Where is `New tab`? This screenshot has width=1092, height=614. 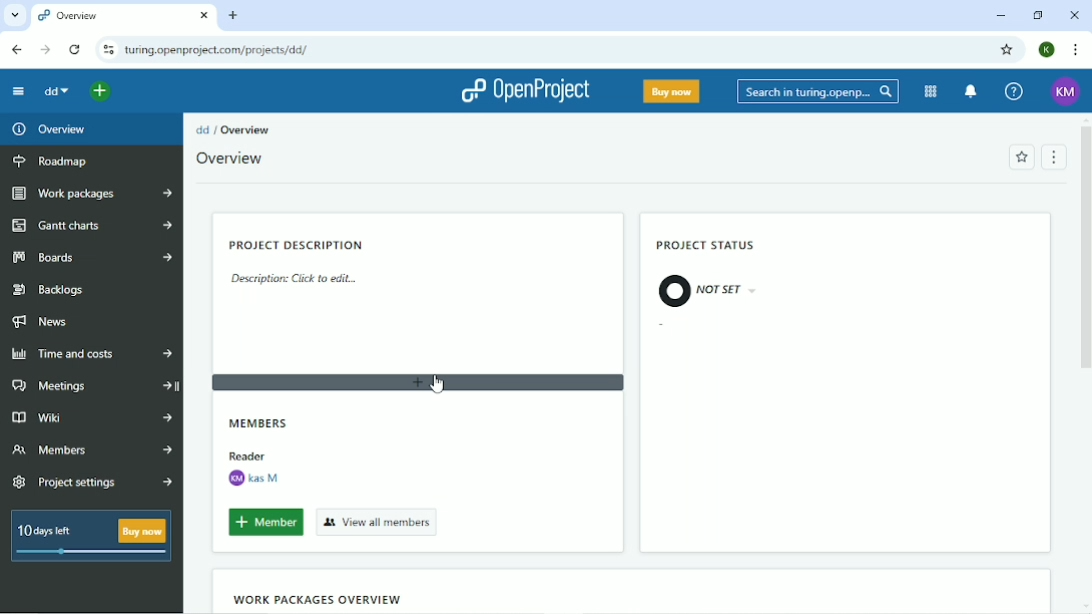
New tab is located at coordinates (236, 17).